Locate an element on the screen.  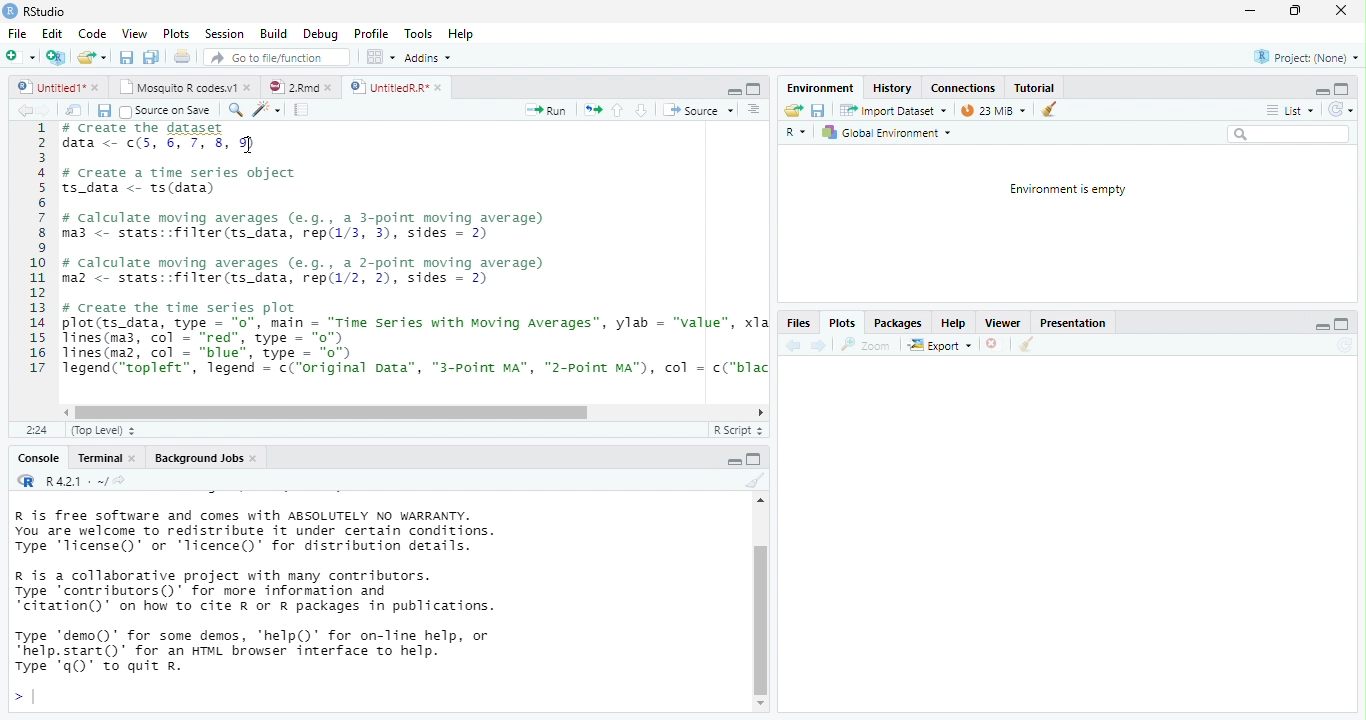
Plots is located at coordinates (840, 325).